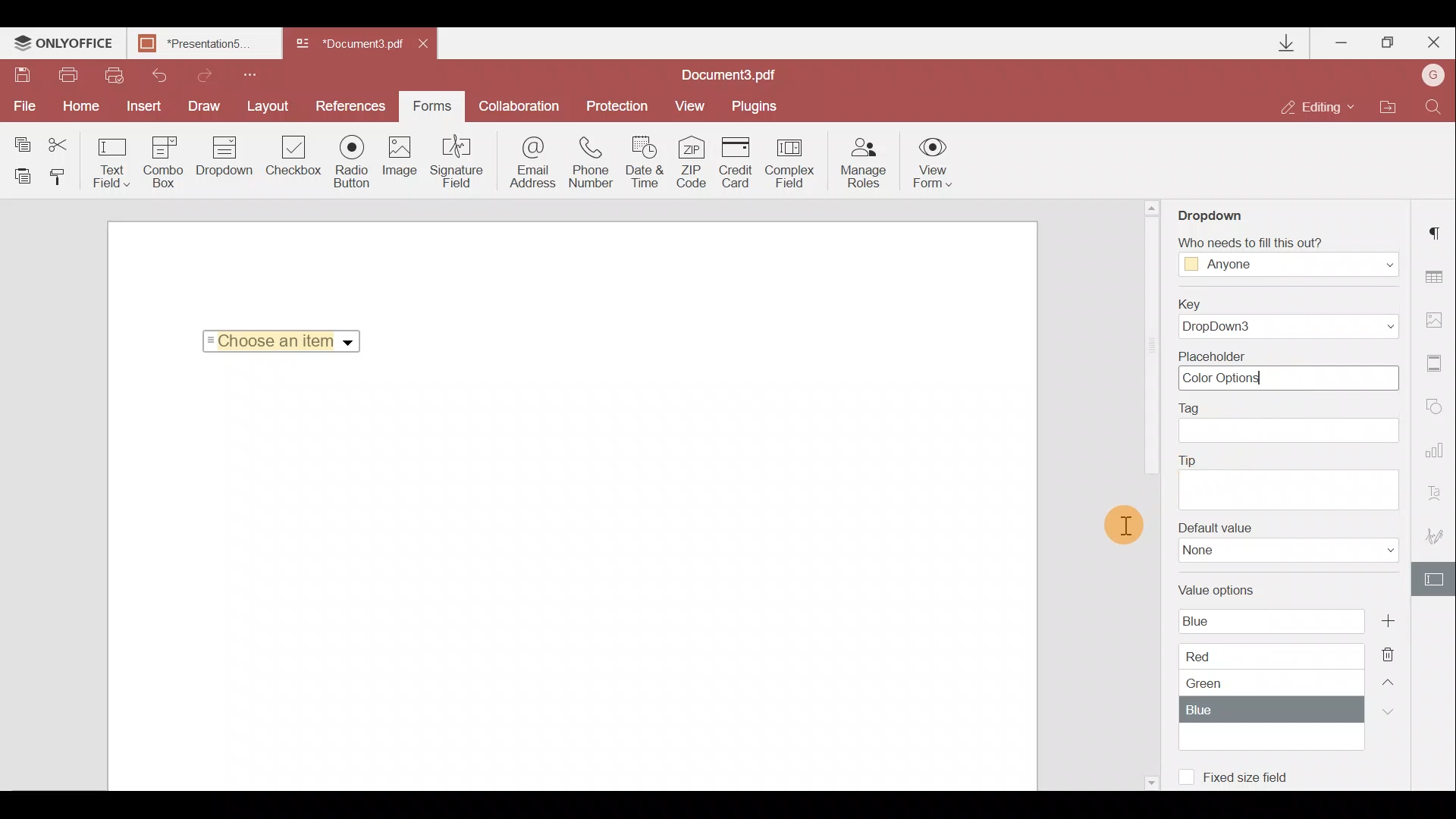 The width and height of the screenshot is (1456, 819). What do you see at coordinates (1289, 43) in the screenshot?
I see `Downloads` at bounding box center [1289, 43].